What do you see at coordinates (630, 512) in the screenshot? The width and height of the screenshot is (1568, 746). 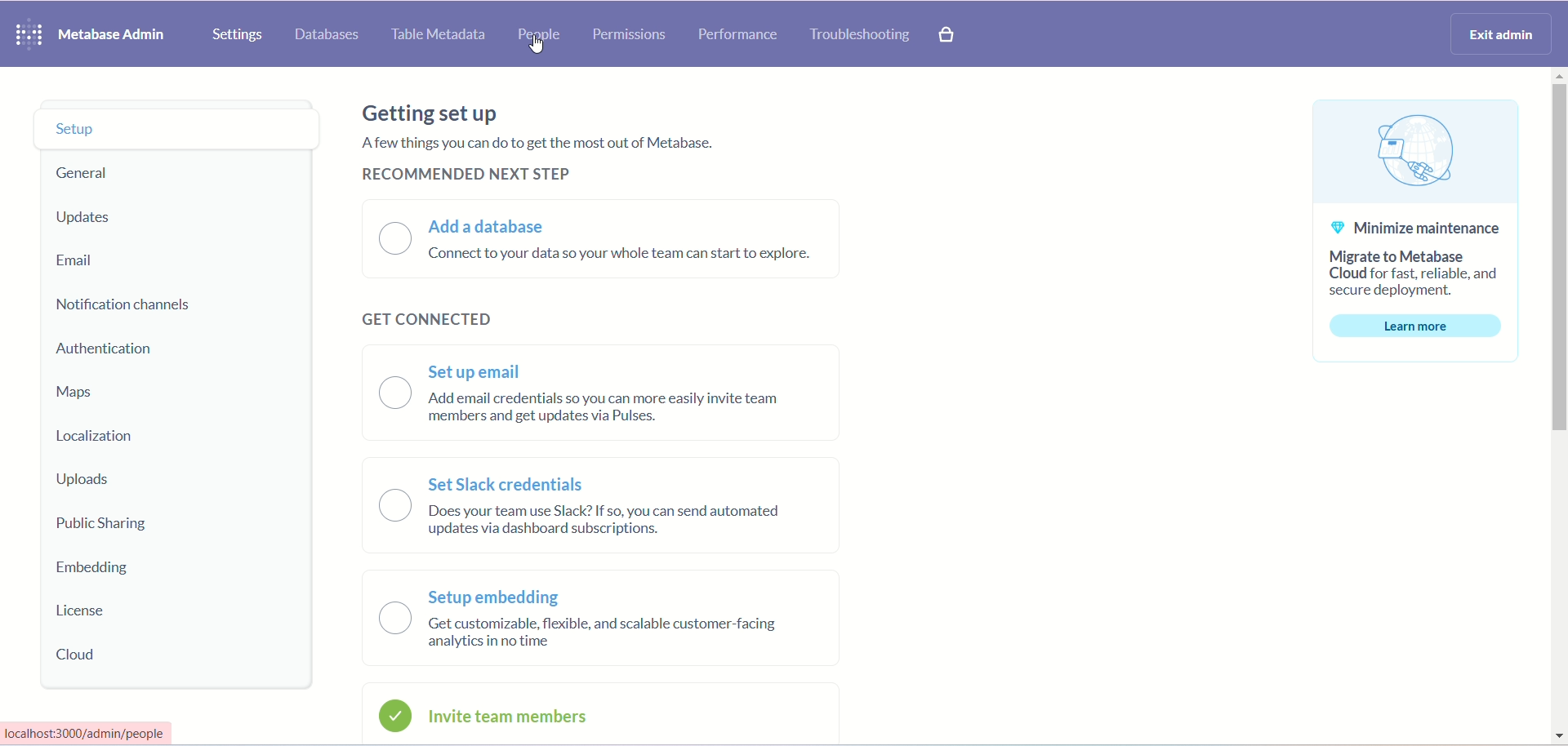 I see `set slack credentials` at bounding box center [630, 512].